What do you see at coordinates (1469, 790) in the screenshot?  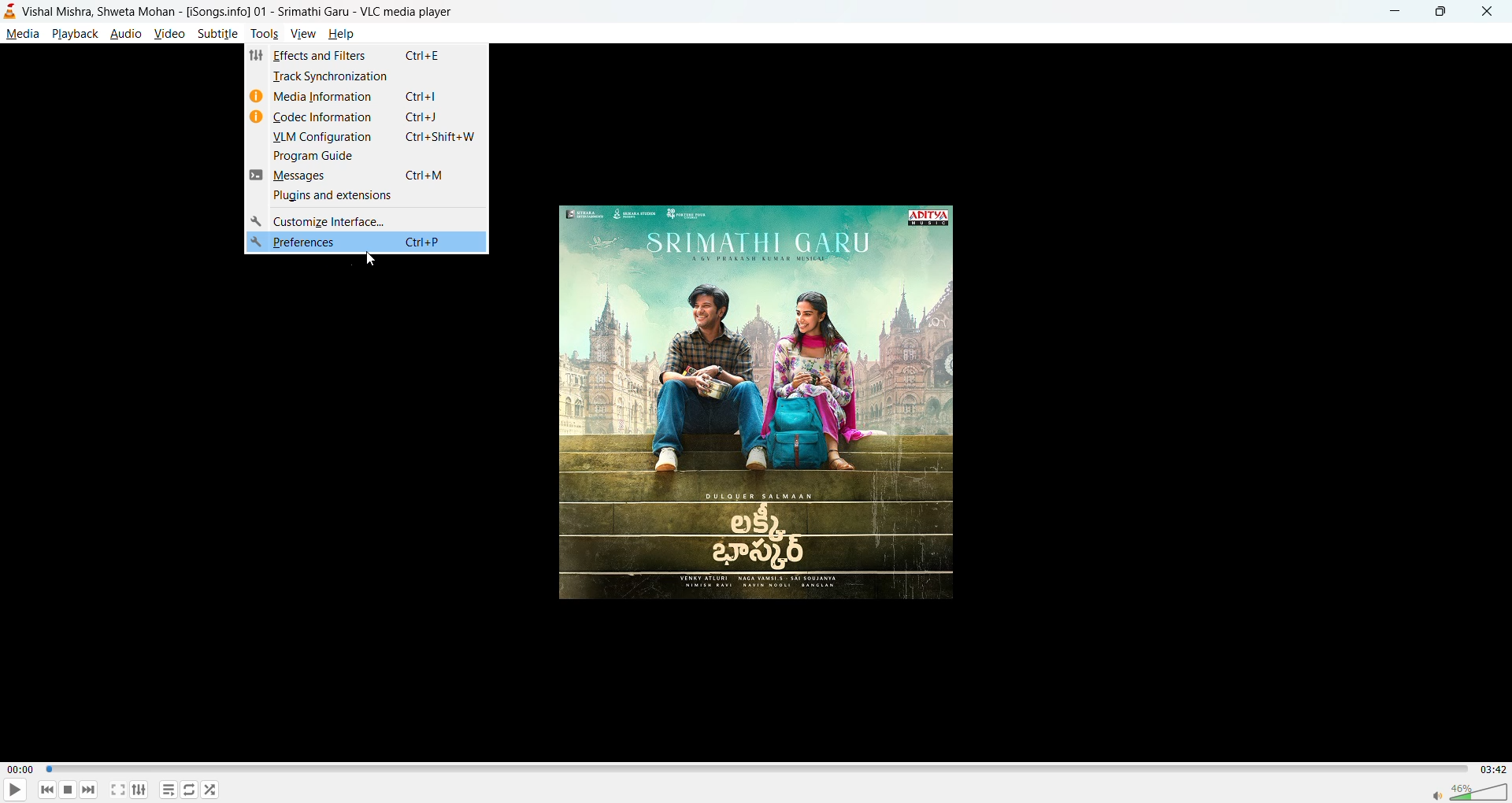 I see `volume` at bounding box center [1469, 790].